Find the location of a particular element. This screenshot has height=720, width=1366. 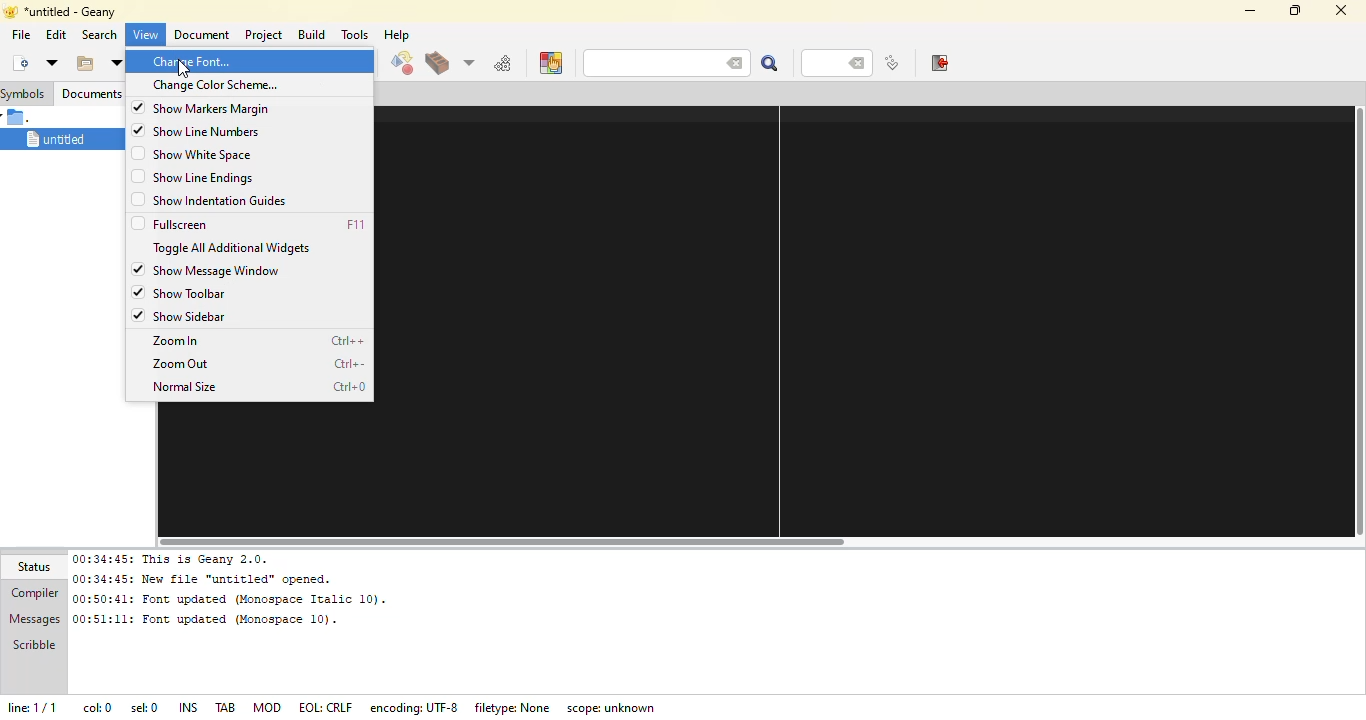

jump to line is located at coordinates (890, 64).